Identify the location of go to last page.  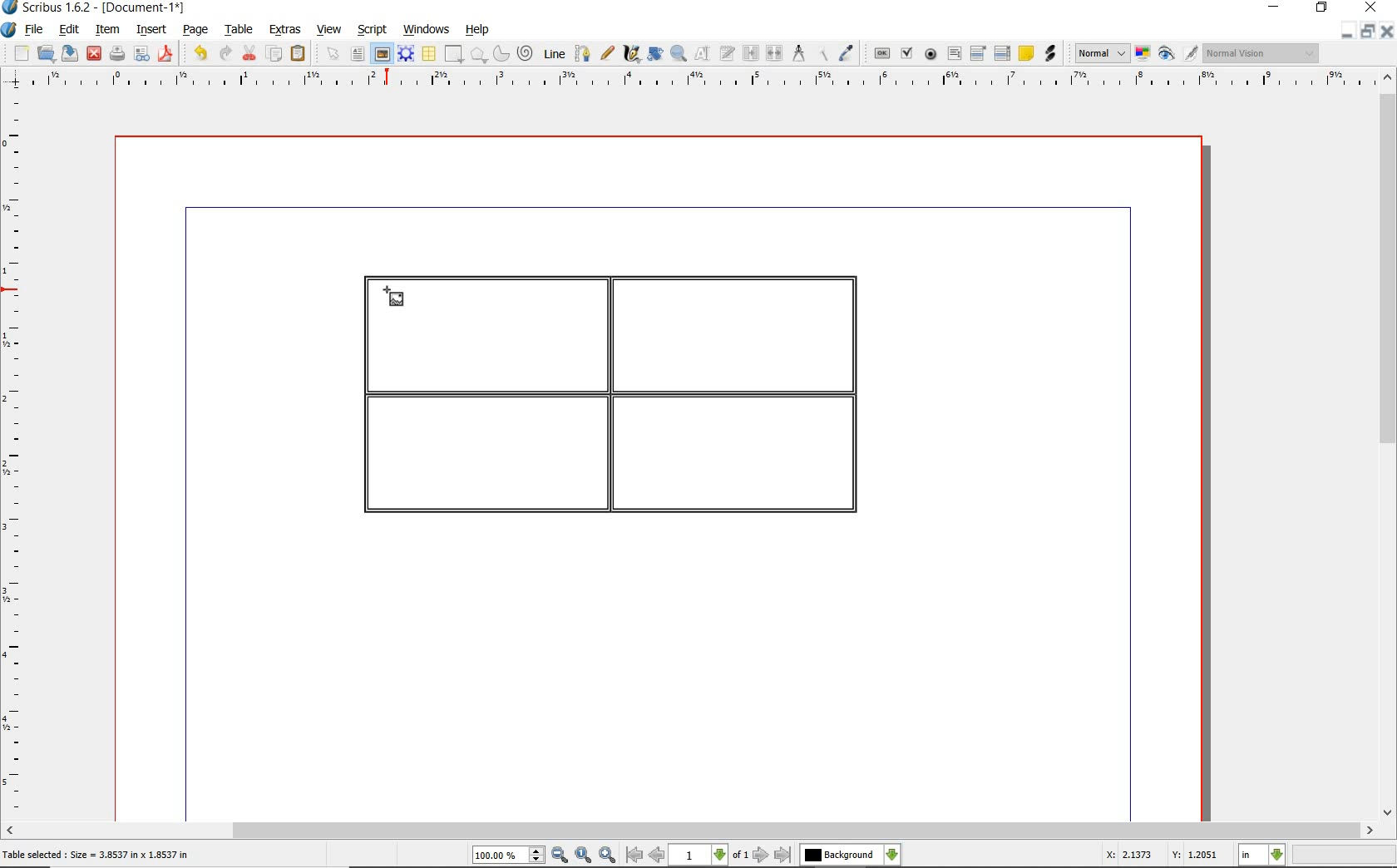
(784, 855).